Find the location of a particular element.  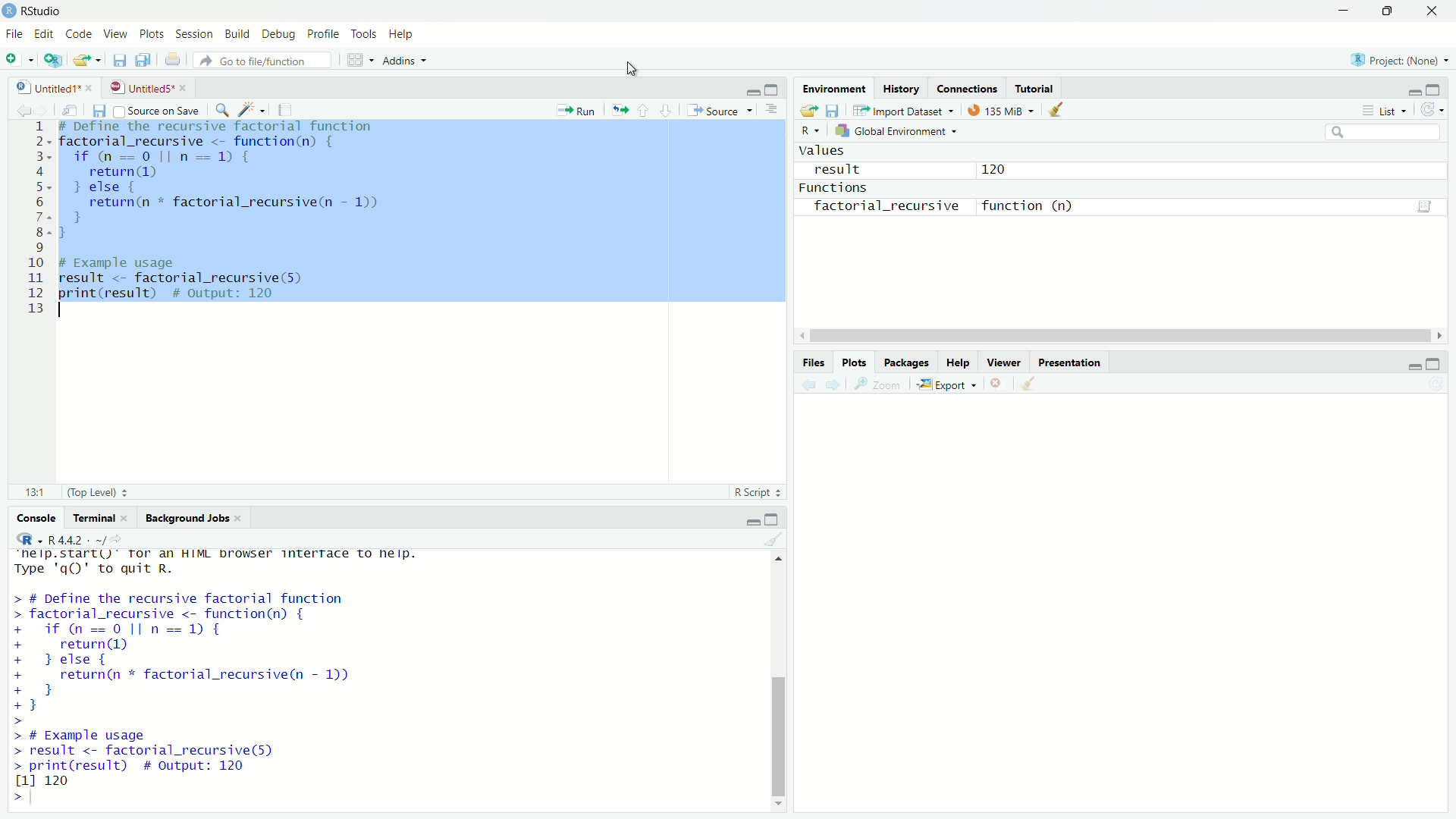

# Derine the recursive tactorial Tunction
factorial_recursive <- function(n) {
ifh=01Iln=1{
return(1)
} else {
return(n * factorial_recursive(n - 1)) |
3}
3}
# Example usage
result <- factorial_recursive(5)
print(result) # Output: 120 is located at coordinates (240, 216).